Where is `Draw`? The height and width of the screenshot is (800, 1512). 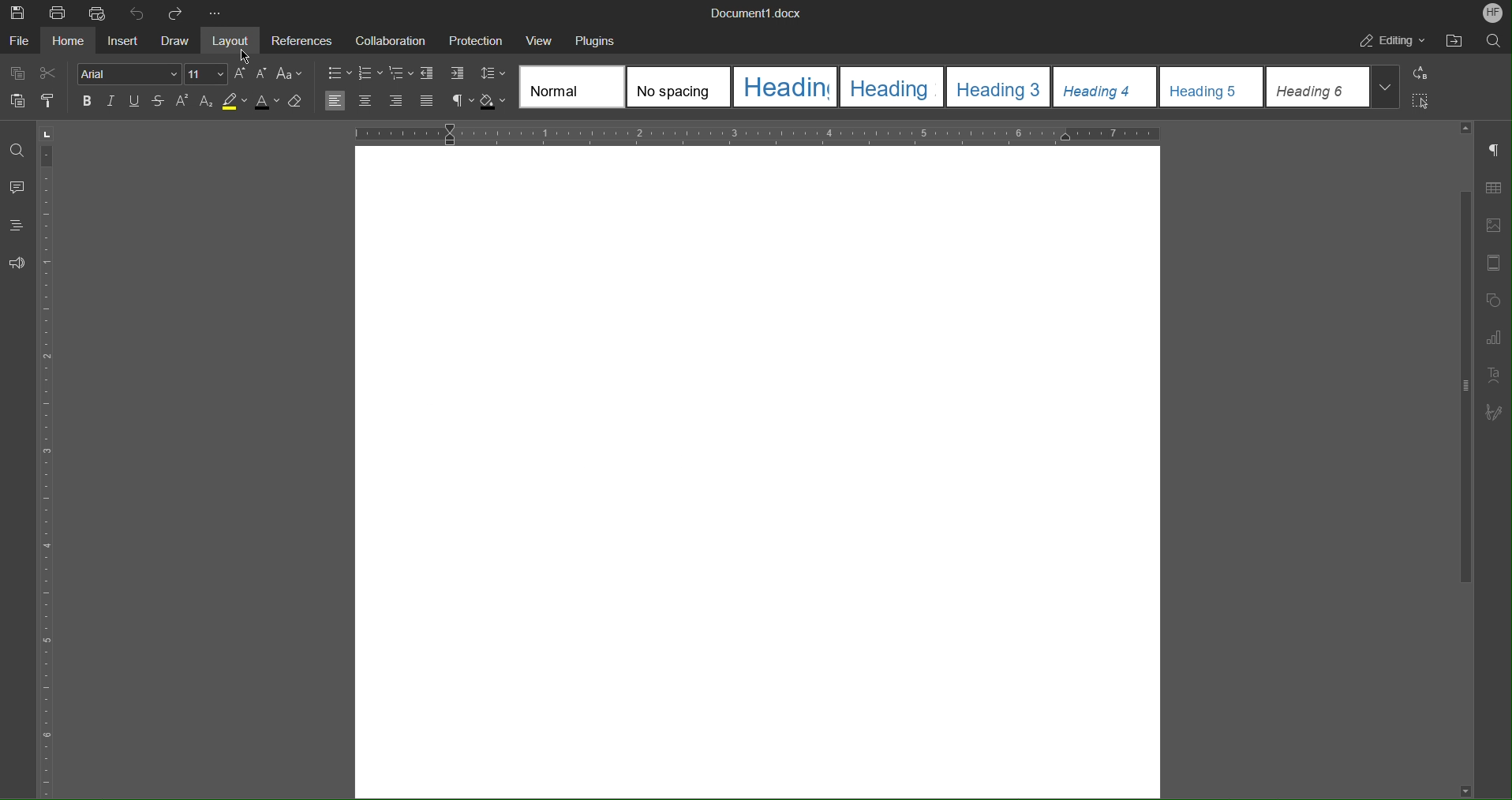
Draw is located at coordinates (176, 41).